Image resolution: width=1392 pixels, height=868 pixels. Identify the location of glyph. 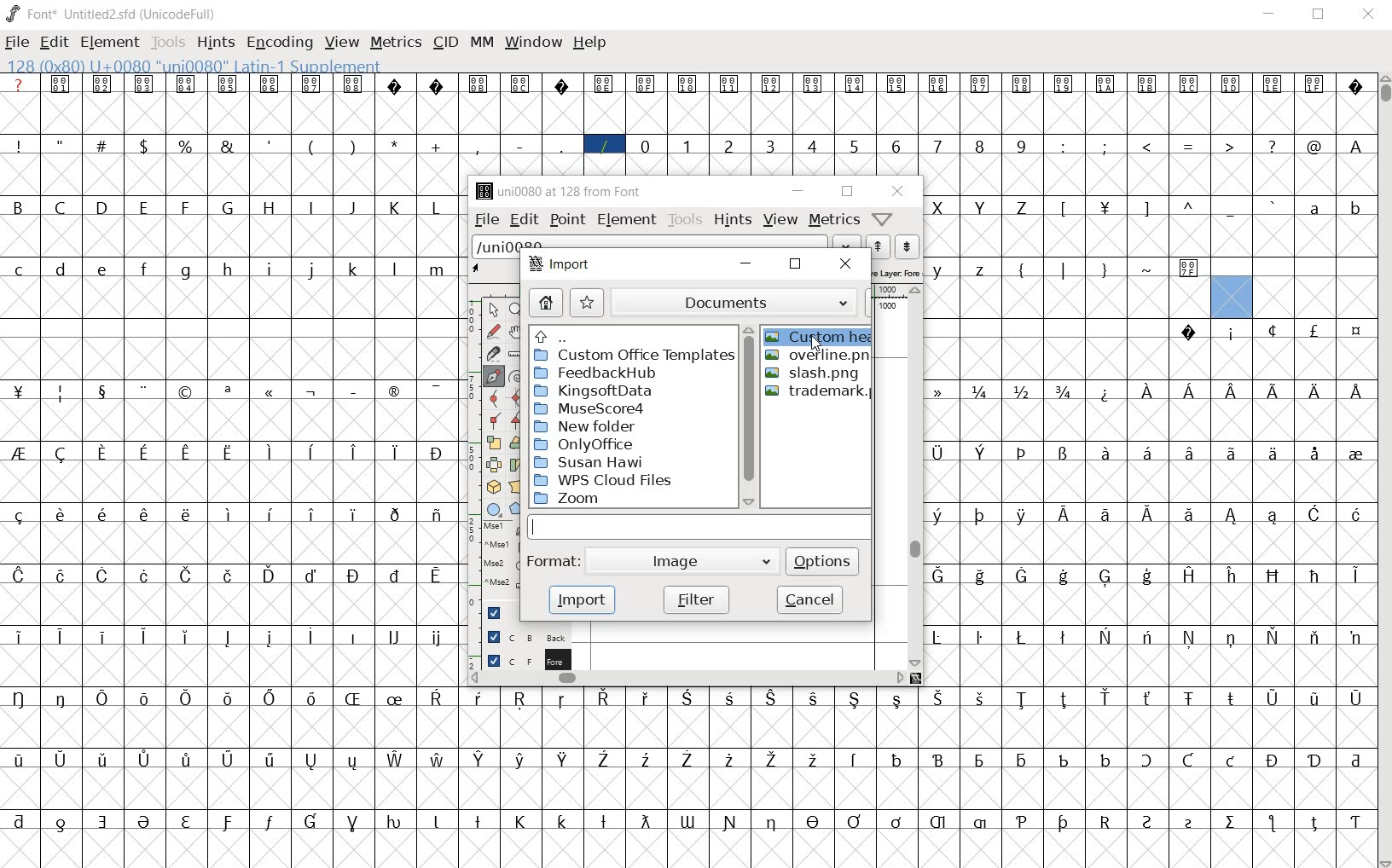
(228, 454).